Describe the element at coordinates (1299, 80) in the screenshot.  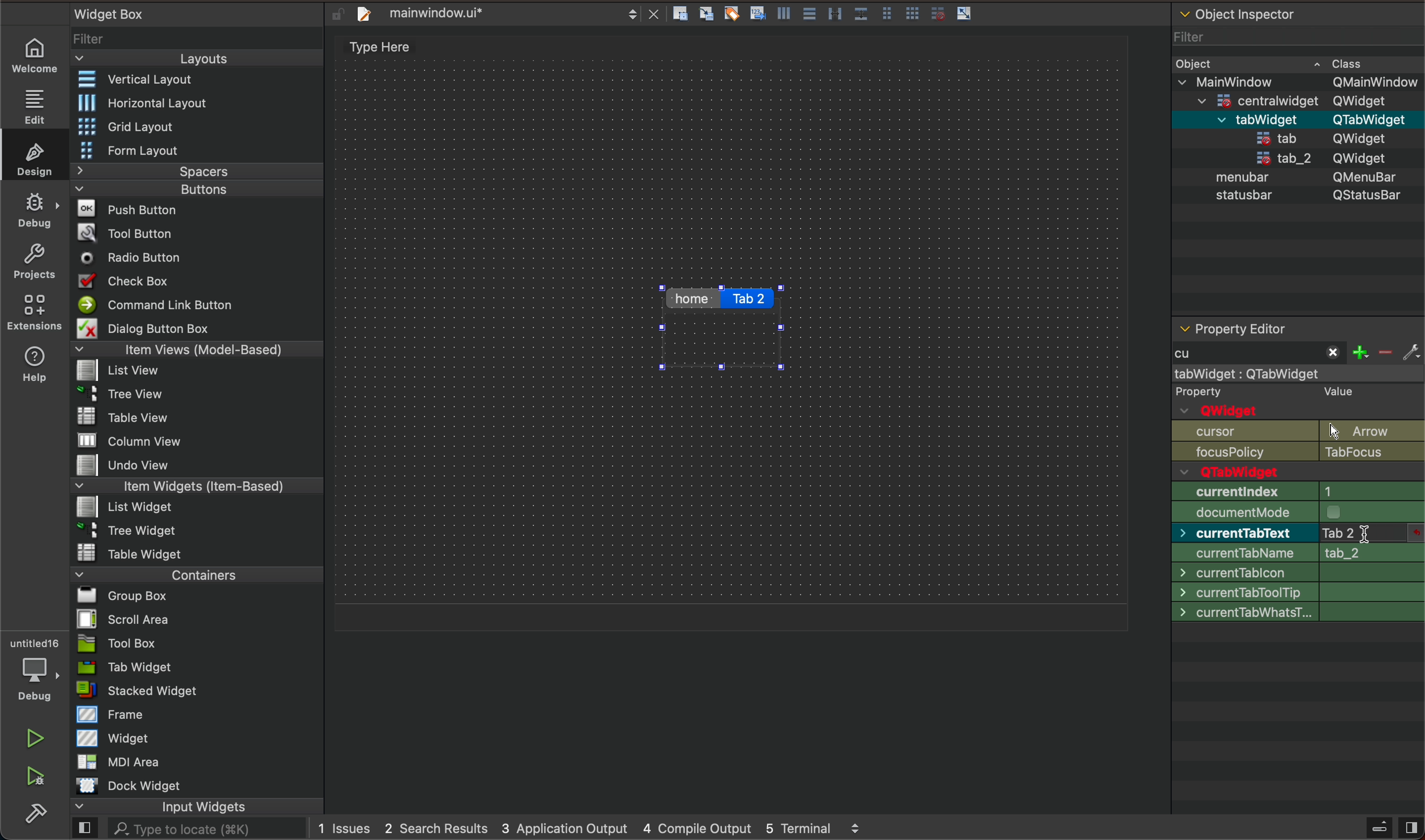
I see `v MainWindow OMainWindow` at that location.